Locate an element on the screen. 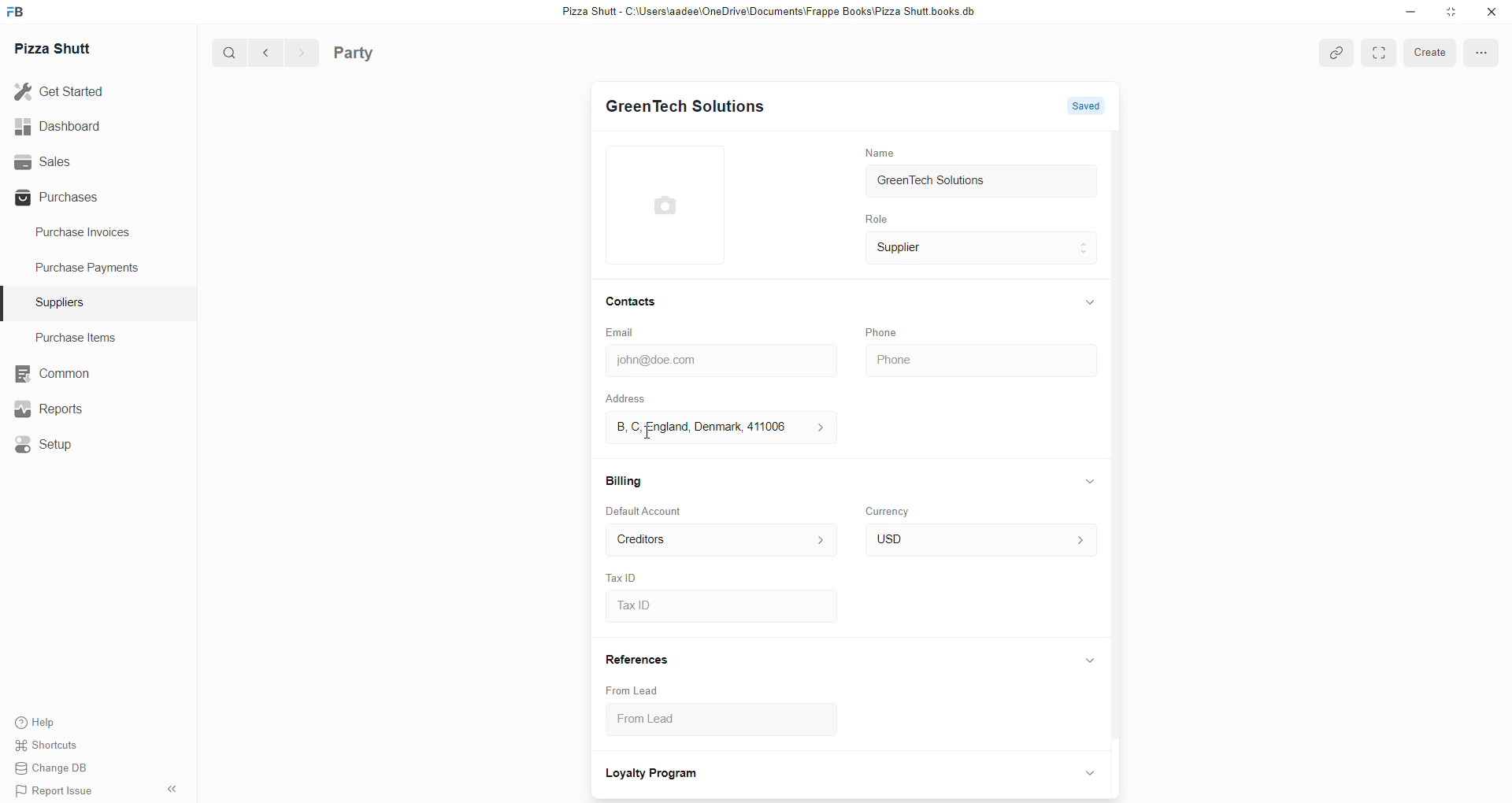  fullscreen is located at coordinates (1480, 54).